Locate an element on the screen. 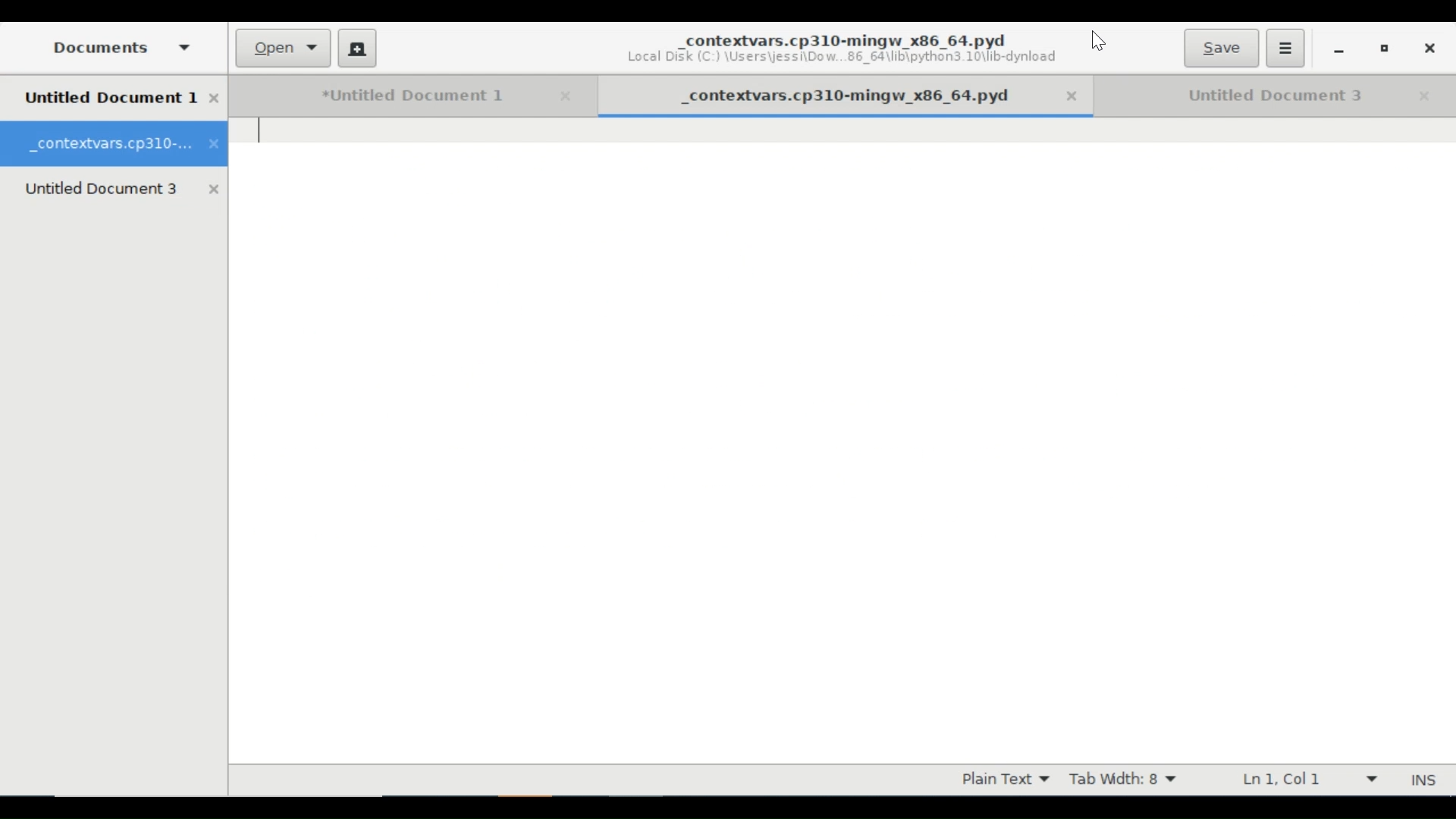  Untitled Document 3 tab is located at coordinates (123, 188).